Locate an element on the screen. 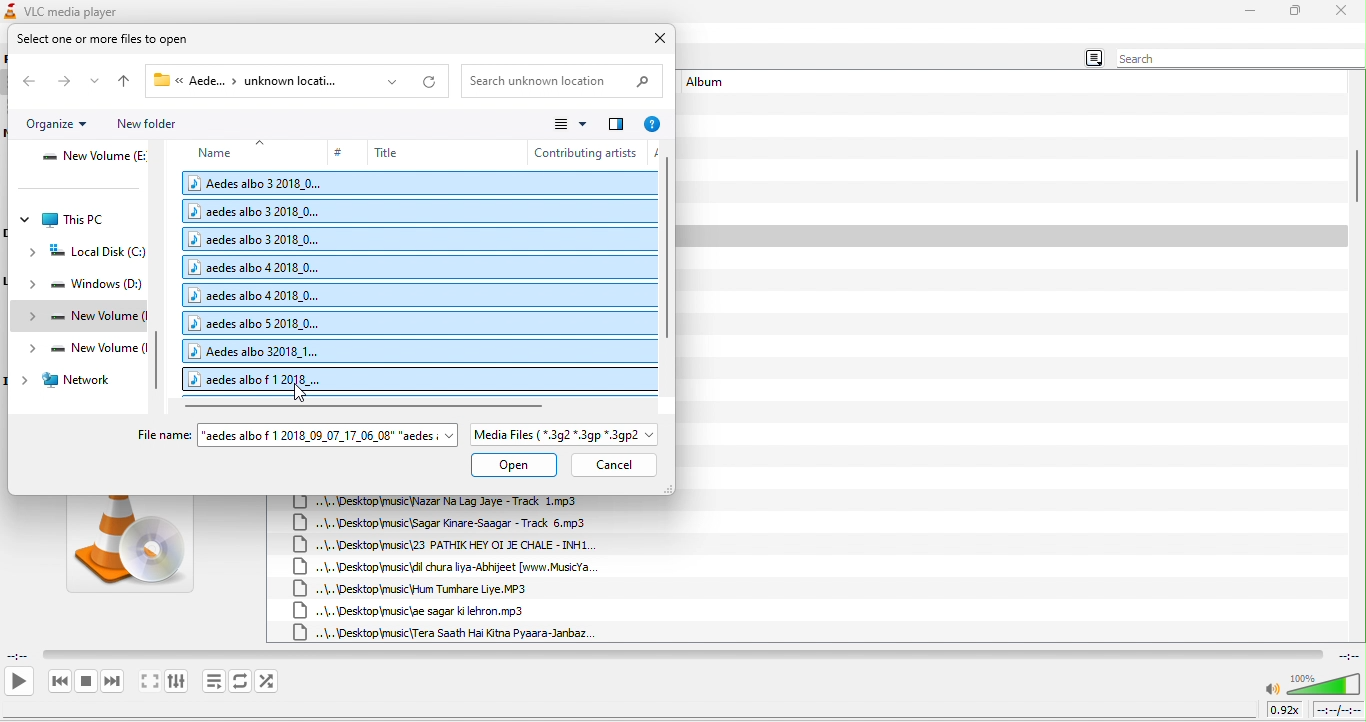  view is located at coordinates (567, 124).